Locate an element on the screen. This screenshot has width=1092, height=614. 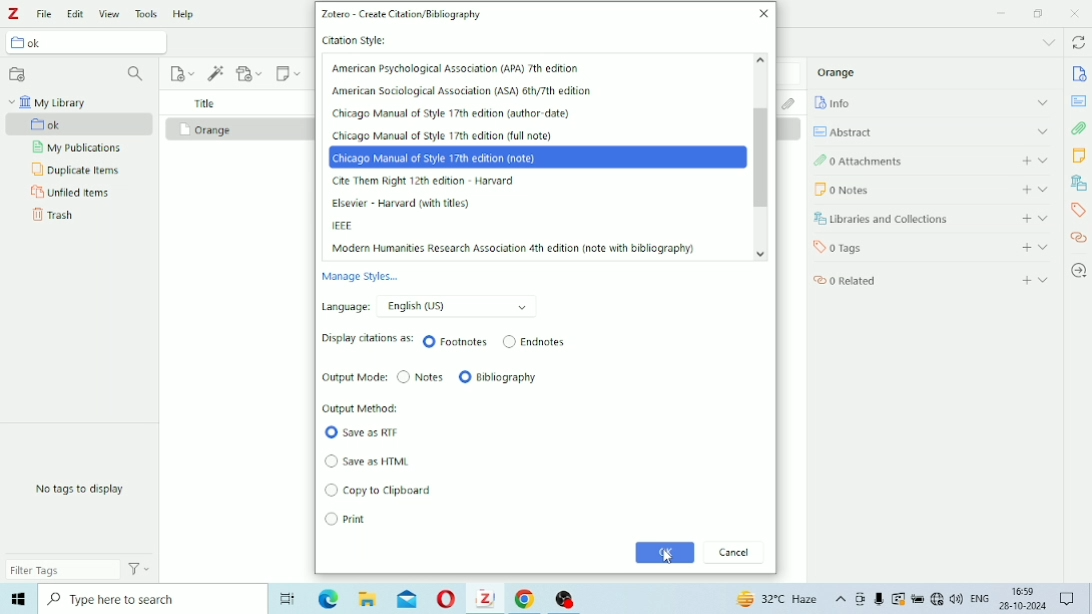
Cursor is located at coordinates (670, 558).